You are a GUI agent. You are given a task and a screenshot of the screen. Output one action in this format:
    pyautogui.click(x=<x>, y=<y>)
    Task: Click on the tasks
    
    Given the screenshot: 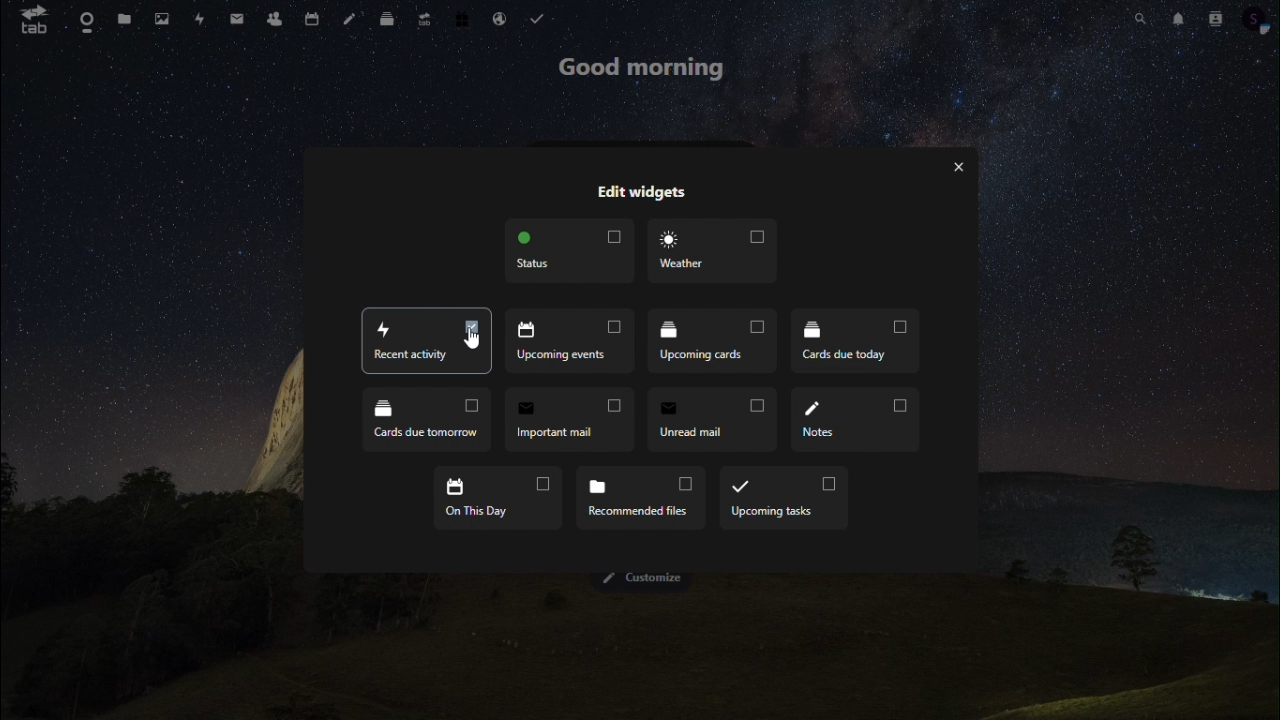 What is the action you would take?
    pyautogui.click(x=545, y=17)
    